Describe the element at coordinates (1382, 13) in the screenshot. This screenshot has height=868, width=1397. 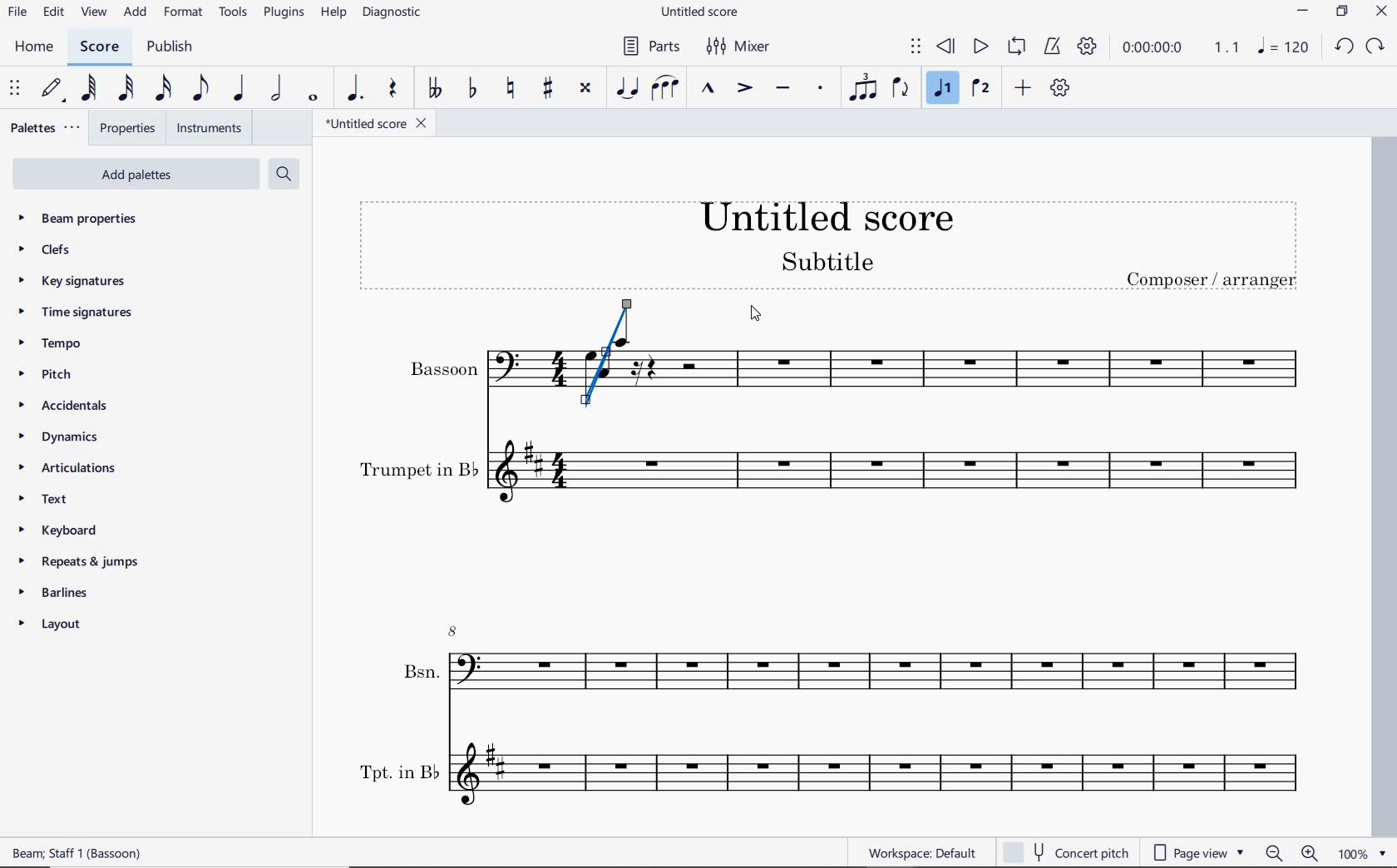
I see `CLOSE` at that location.